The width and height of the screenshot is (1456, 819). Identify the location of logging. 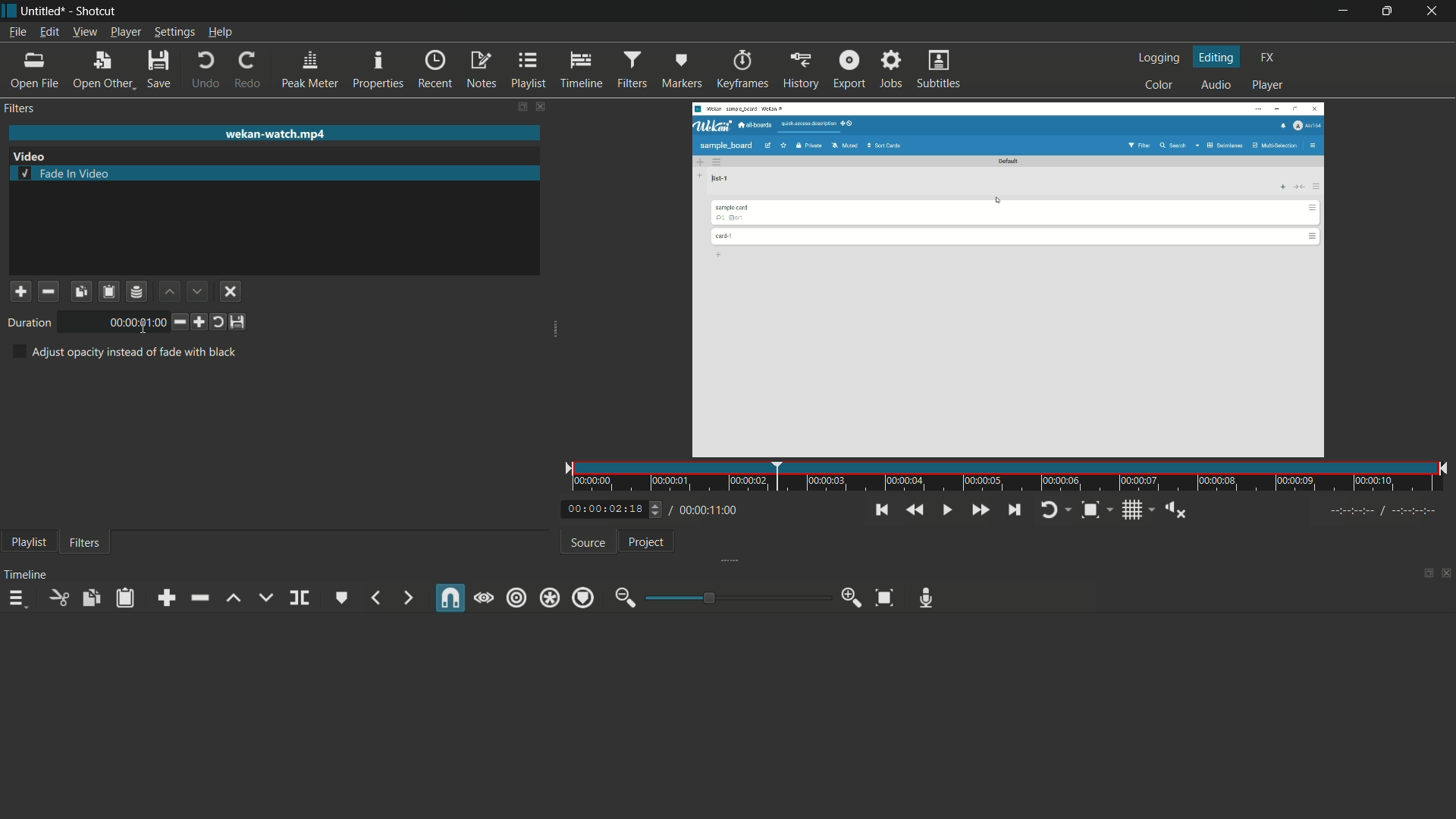
(1162, 58).